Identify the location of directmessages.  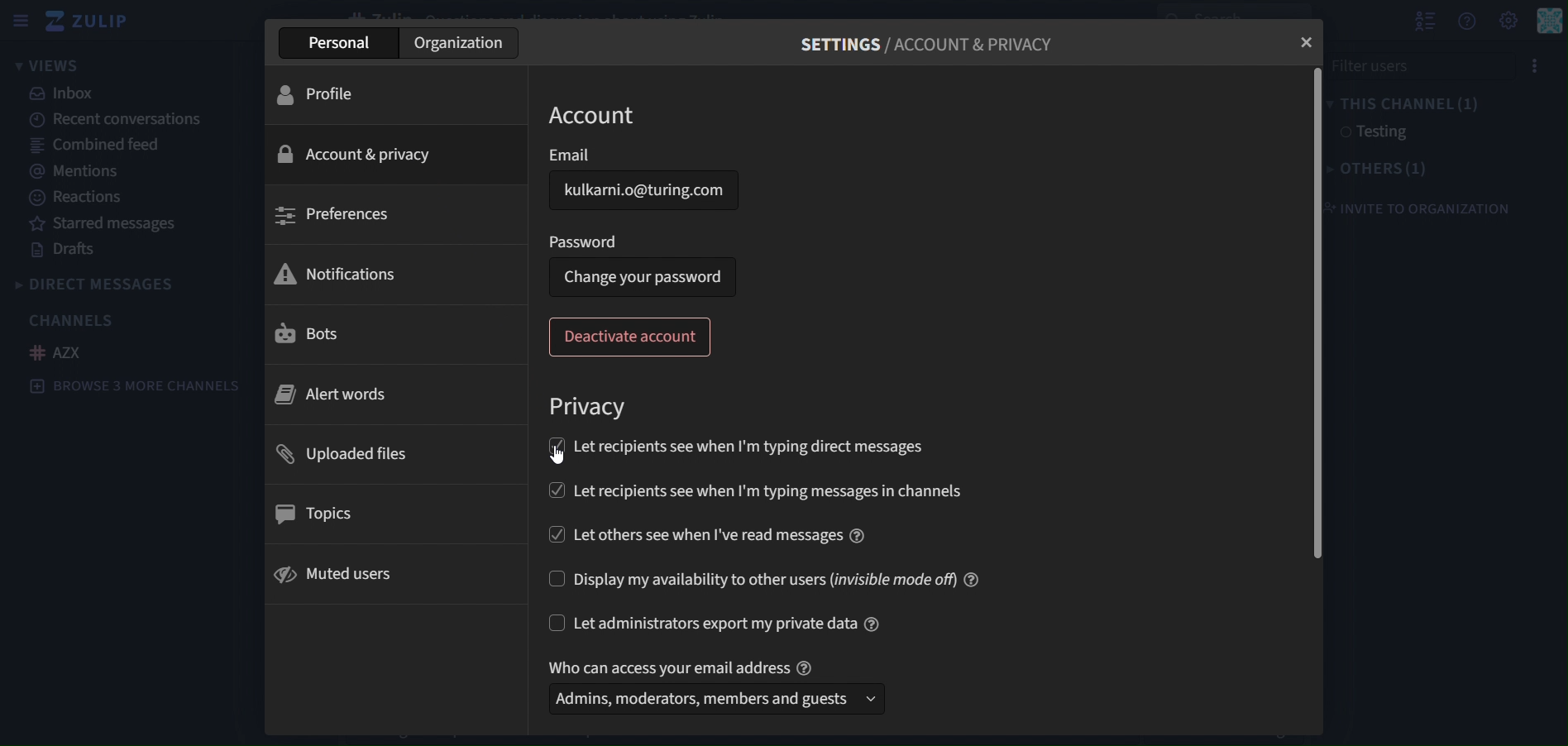
(127, 284).